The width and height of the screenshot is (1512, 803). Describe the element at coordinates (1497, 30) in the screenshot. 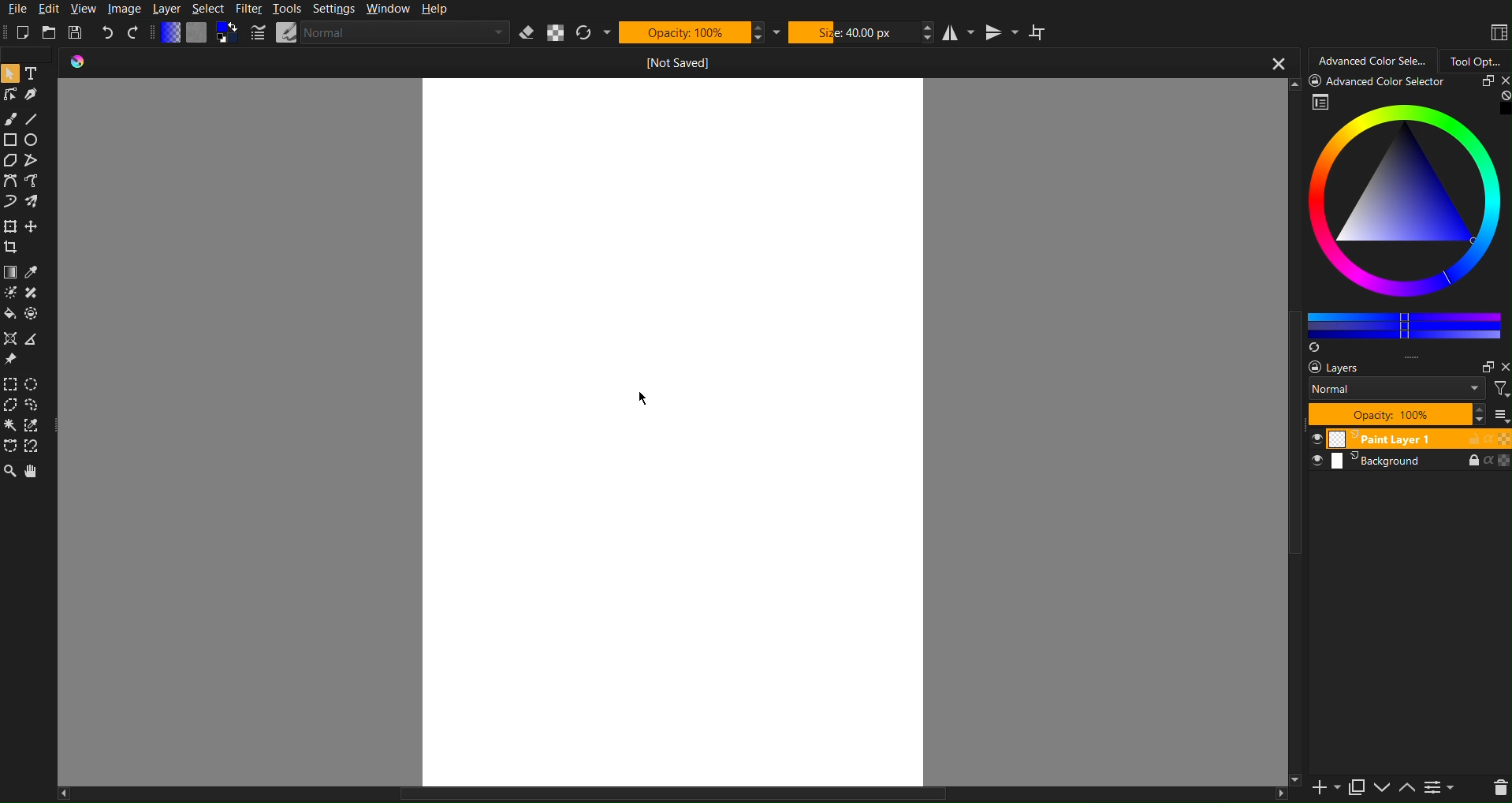

I see `Workspaces` at that location.